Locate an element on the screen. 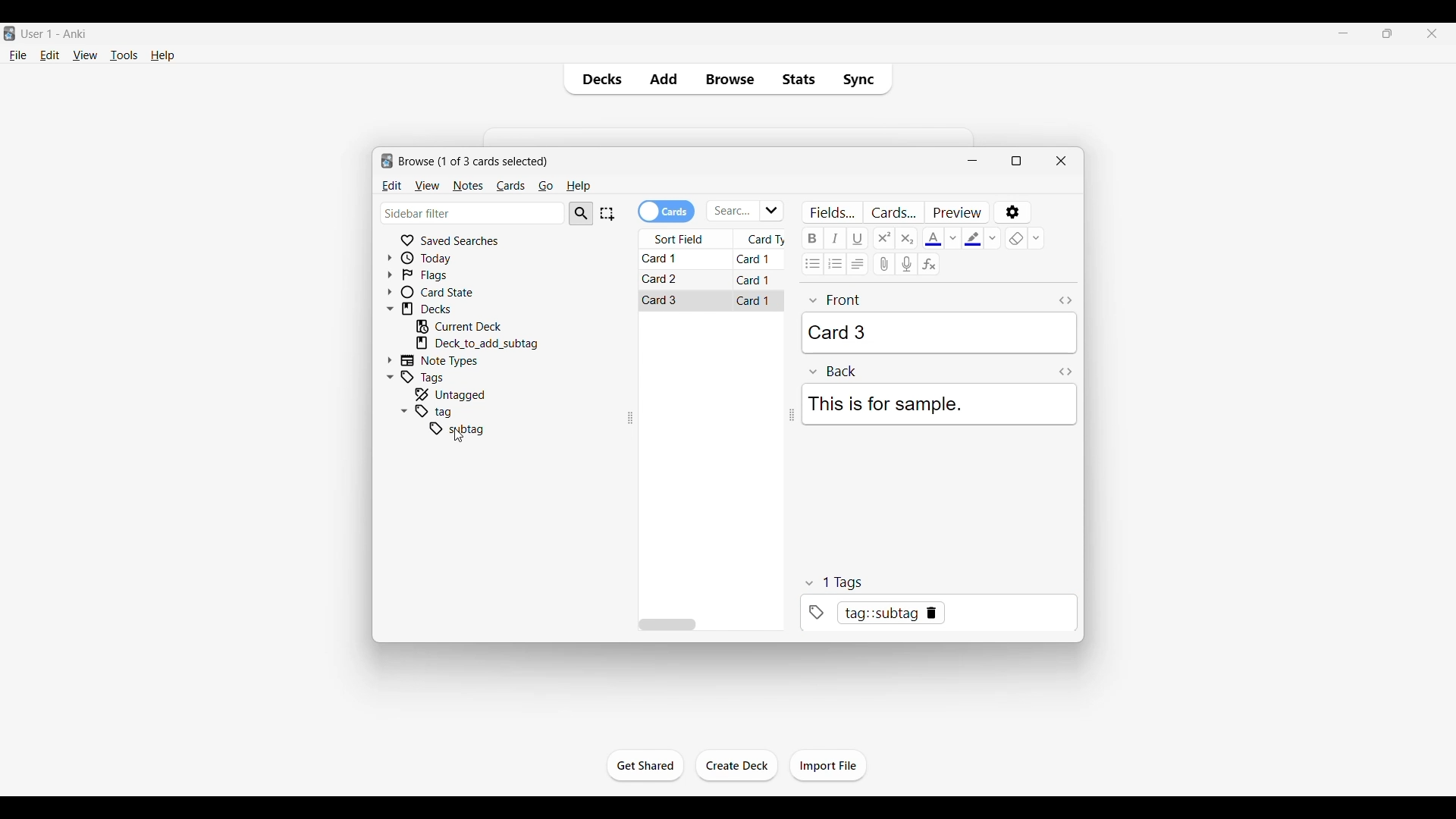 This screenshot has height=819, width=1456. cursor is located at coordinates (458, 436).